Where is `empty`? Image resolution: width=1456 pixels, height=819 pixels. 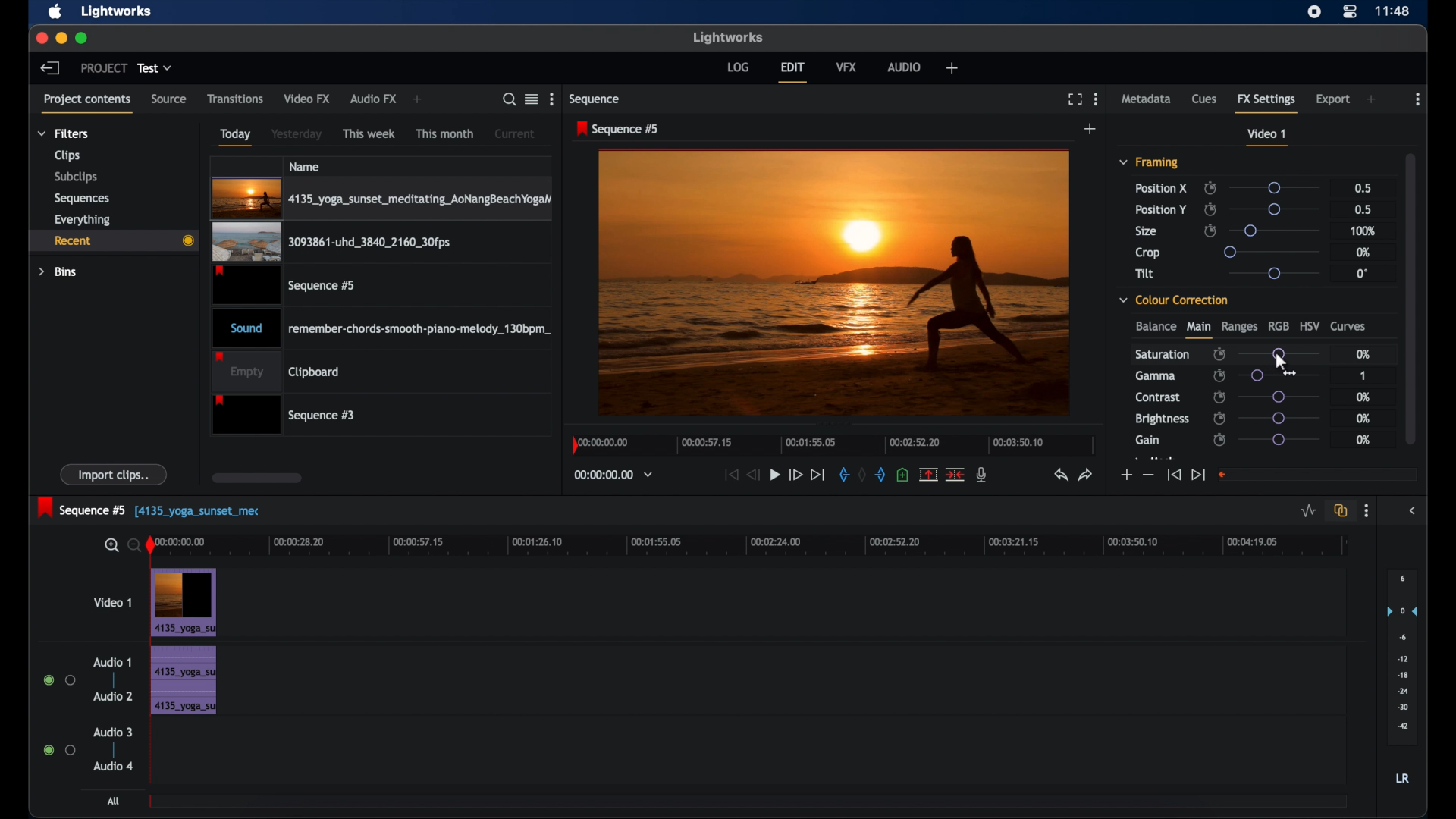
empty is located at coordinates (276, 371).